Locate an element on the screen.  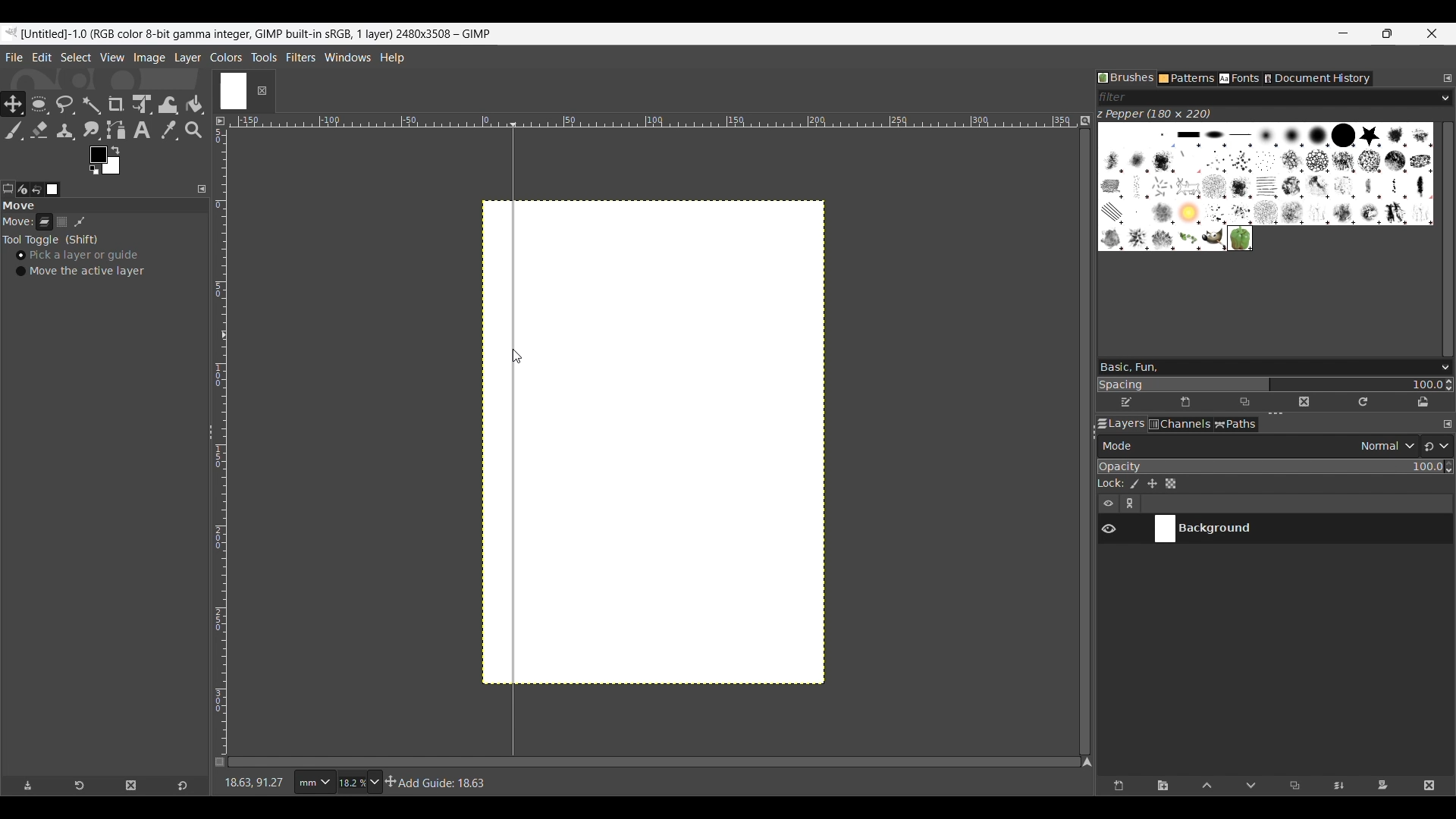
Paintbrush tool is located at coordinates (11, 130).